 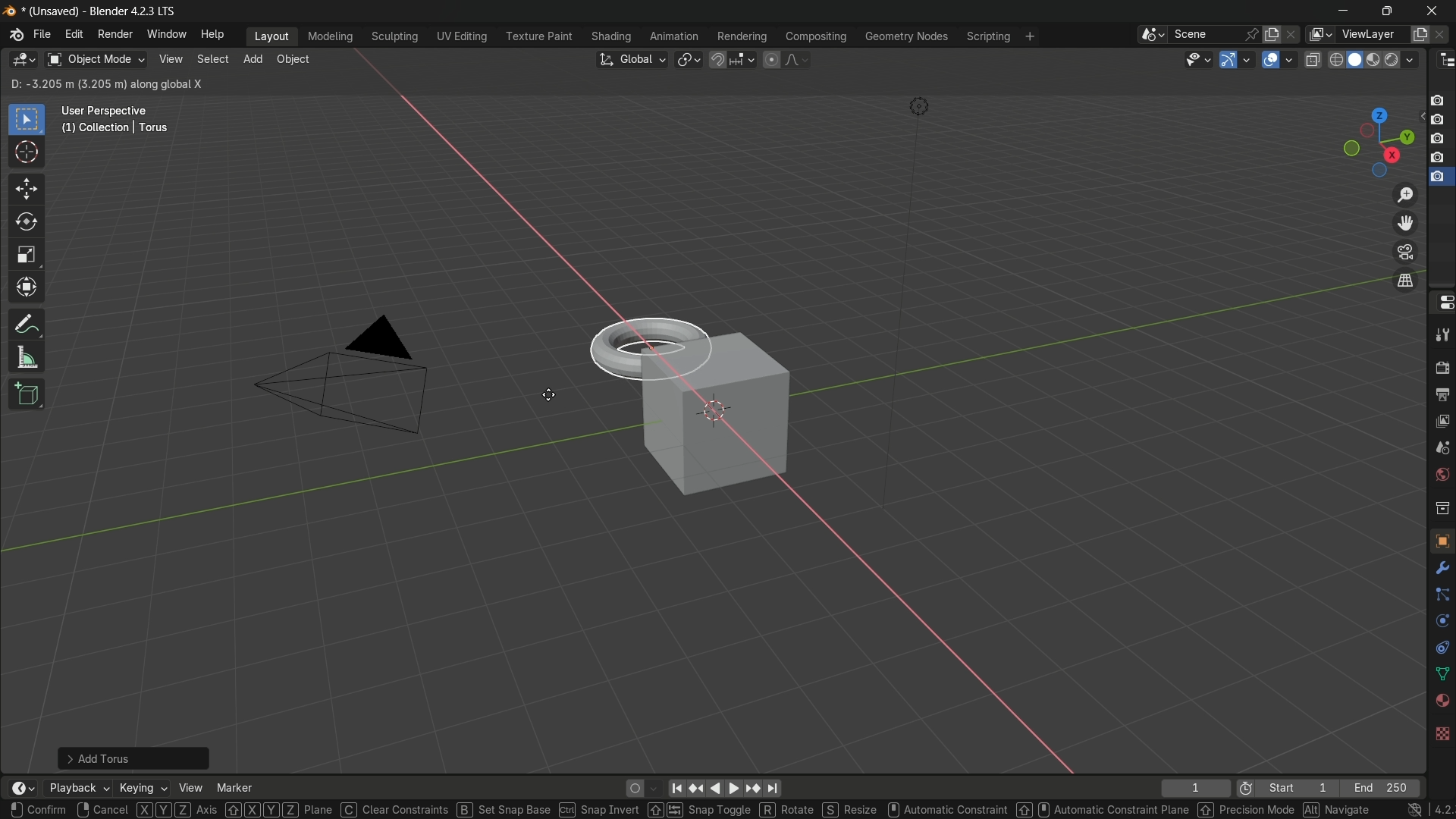 What do you see at coordinates (169, 59) in the screenshot?
I see `view` at bounding box center [169, 59].